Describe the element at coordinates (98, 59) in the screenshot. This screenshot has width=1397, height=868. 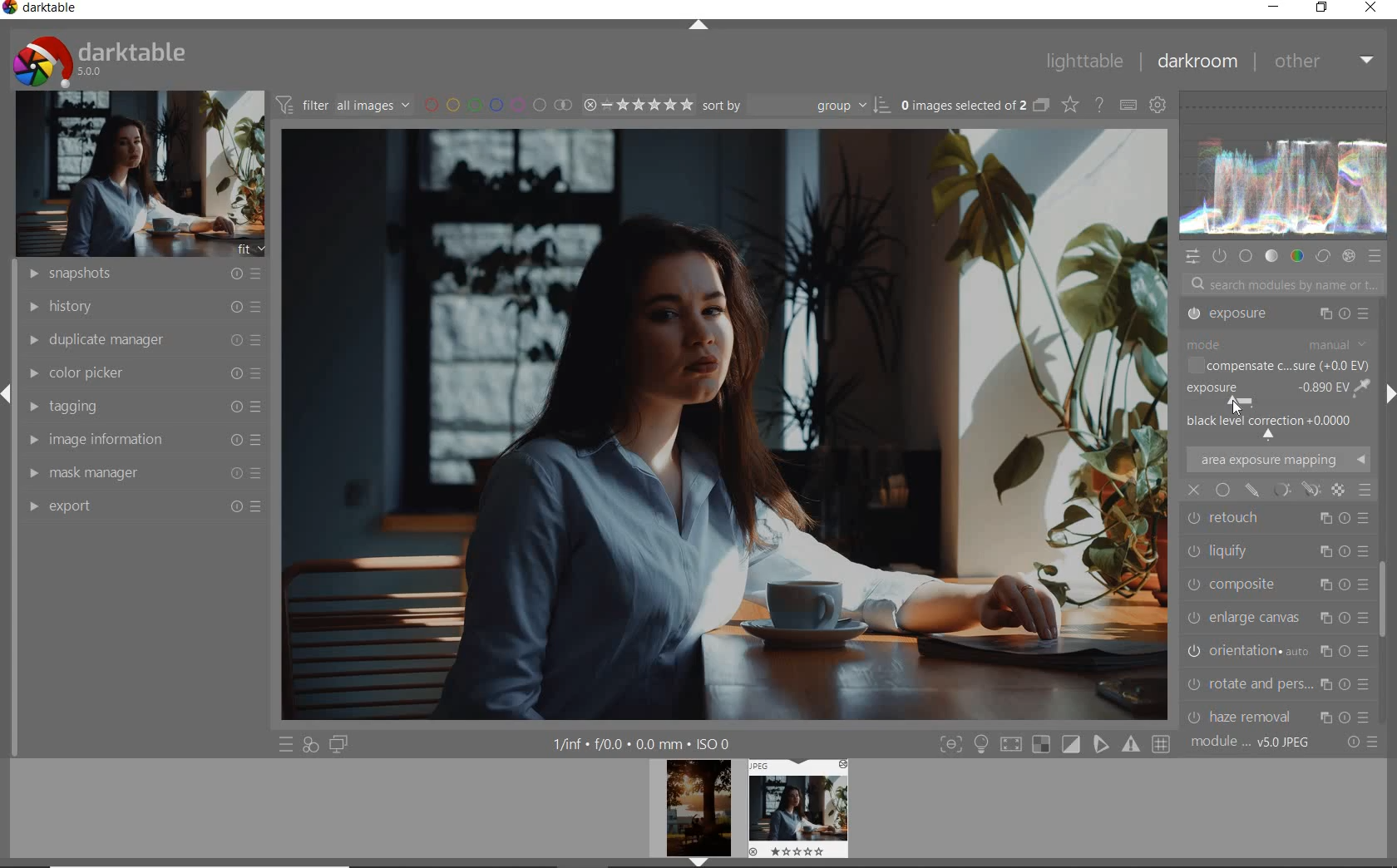
I see `SYSTEM LOGO & NAME` at that location.